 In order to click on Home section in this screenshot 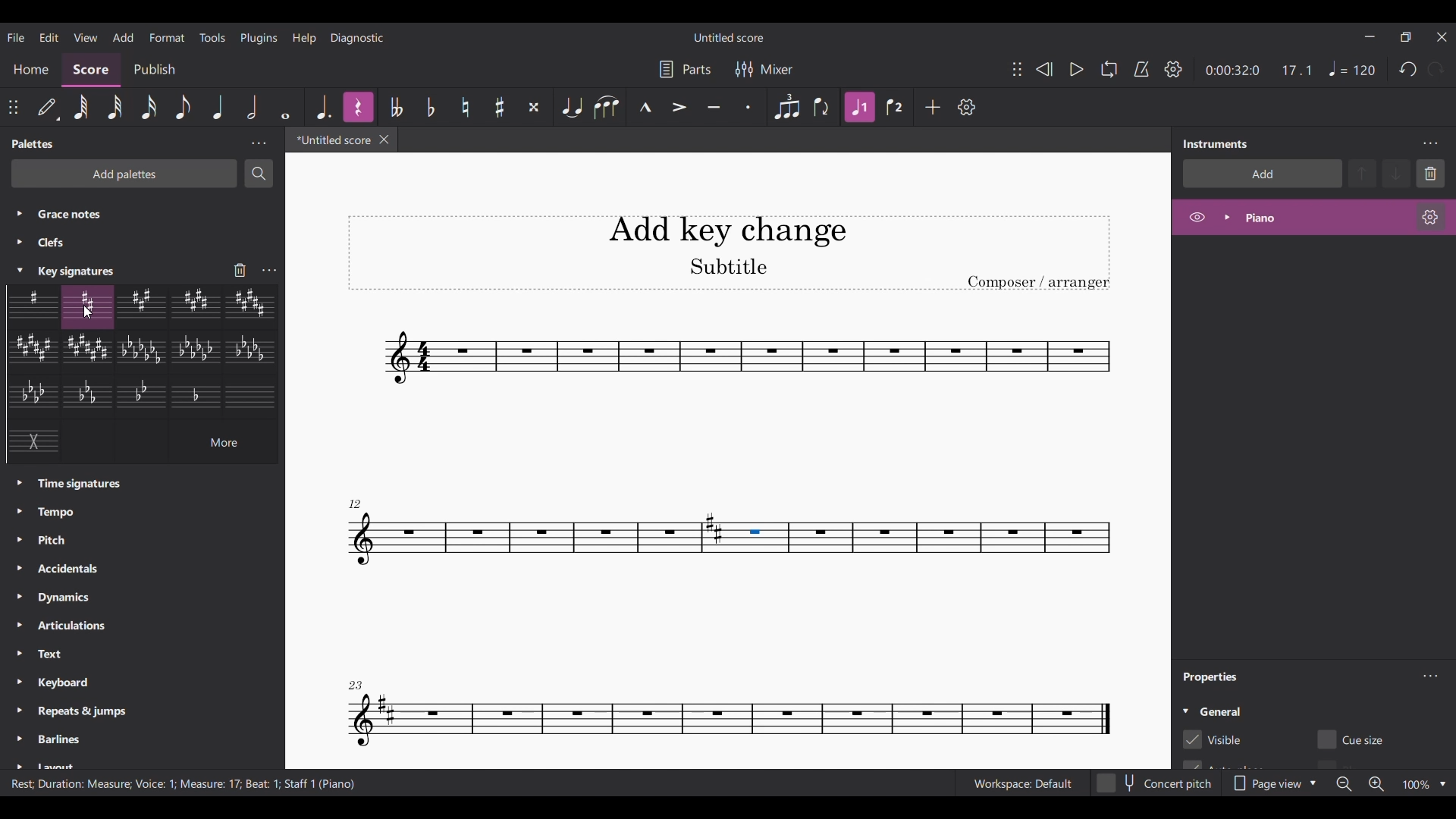, I will do `click(31, 73)`.